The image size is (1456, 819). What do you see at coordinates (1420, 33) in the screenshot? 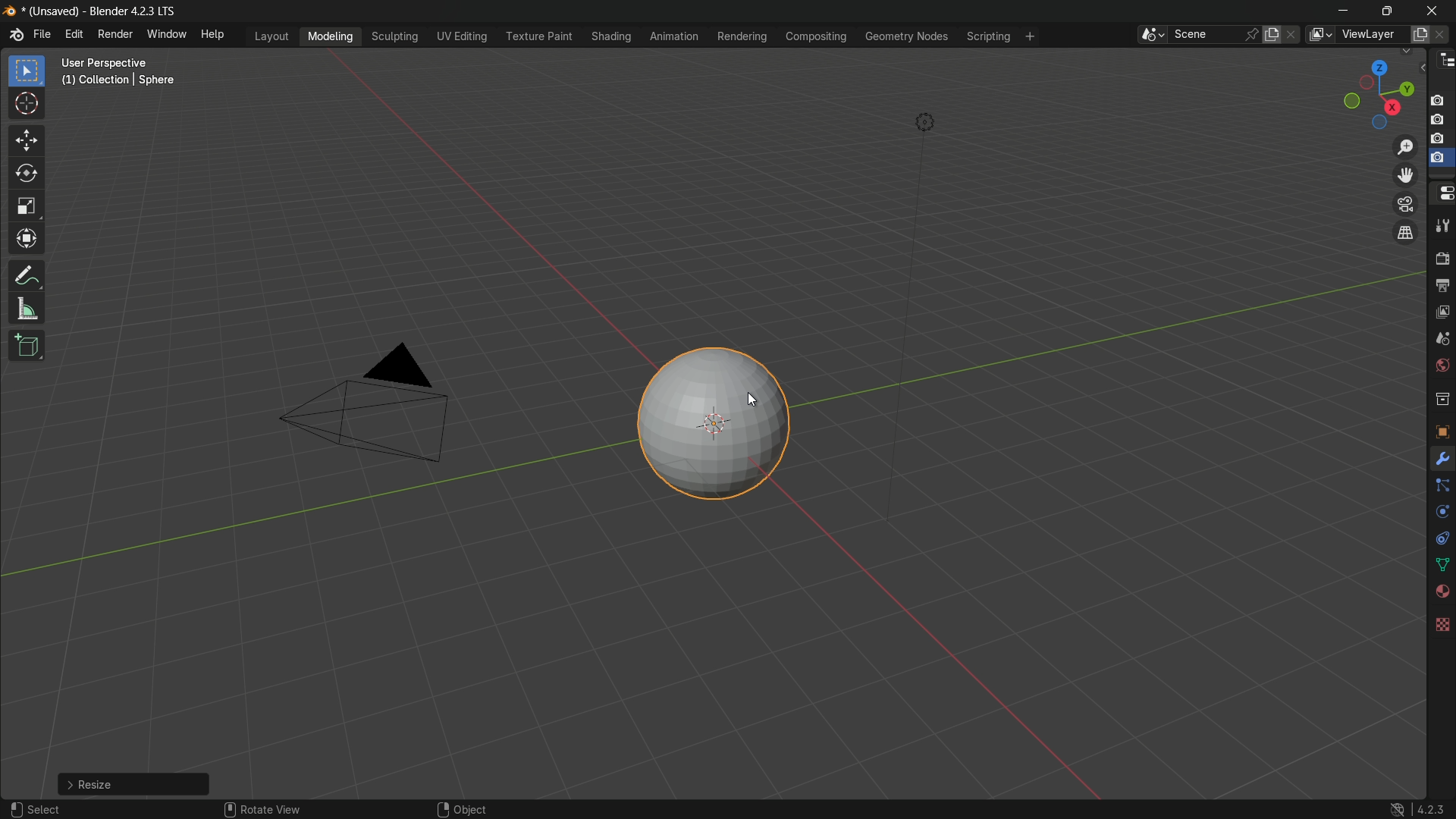
I see `add new layer` at bounding box center [1420, 33].